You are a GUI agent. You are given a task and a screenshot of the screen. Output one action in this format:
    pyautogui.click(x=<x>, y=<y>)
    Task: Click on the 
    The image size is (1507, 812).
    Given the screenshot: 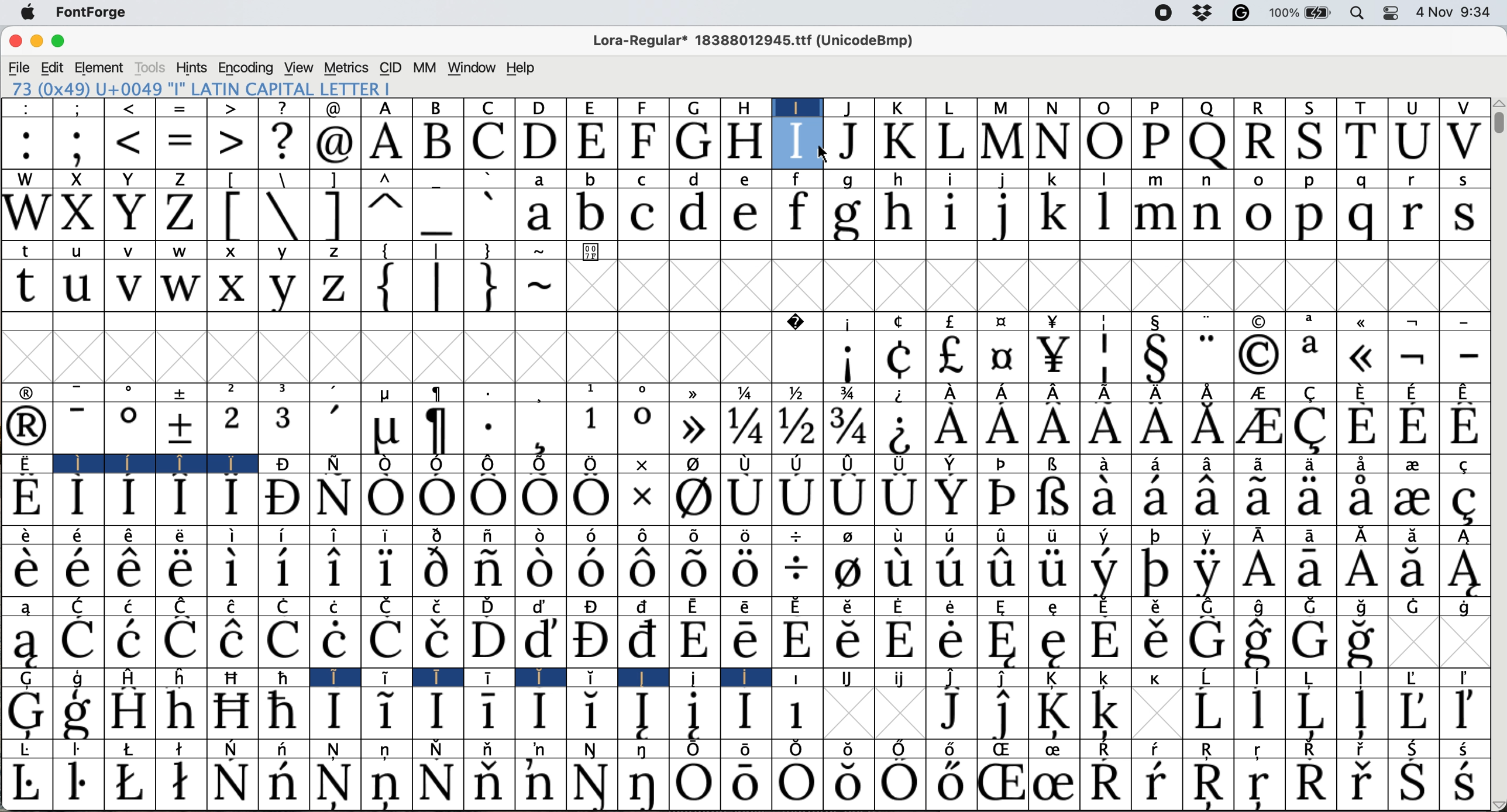 What is the action you would take?
    pyautogui.click(x=1312, y=393)
    